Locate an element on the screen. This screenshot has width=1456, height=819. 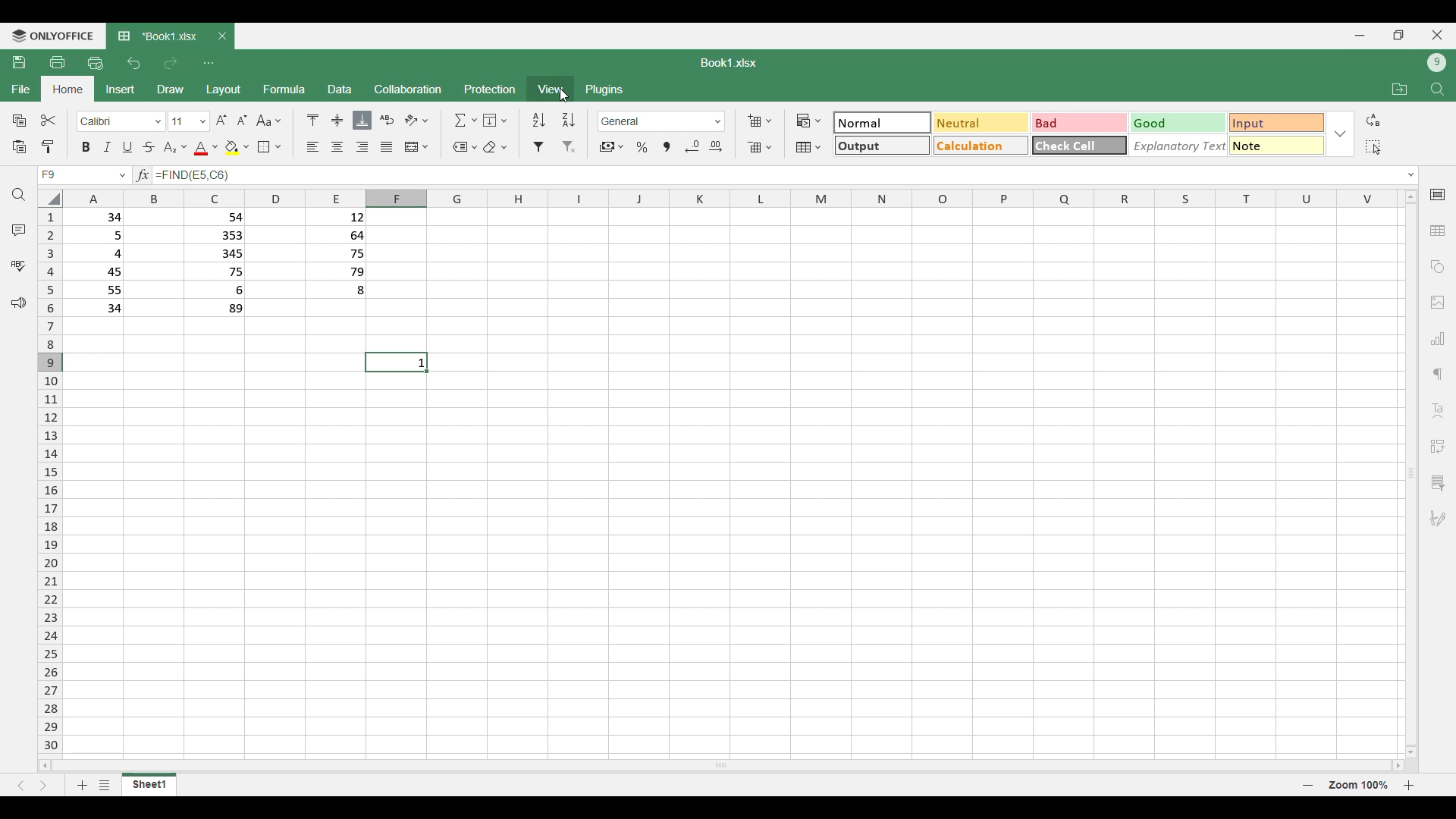
Input text size manually is located at coordinates (177, 121).